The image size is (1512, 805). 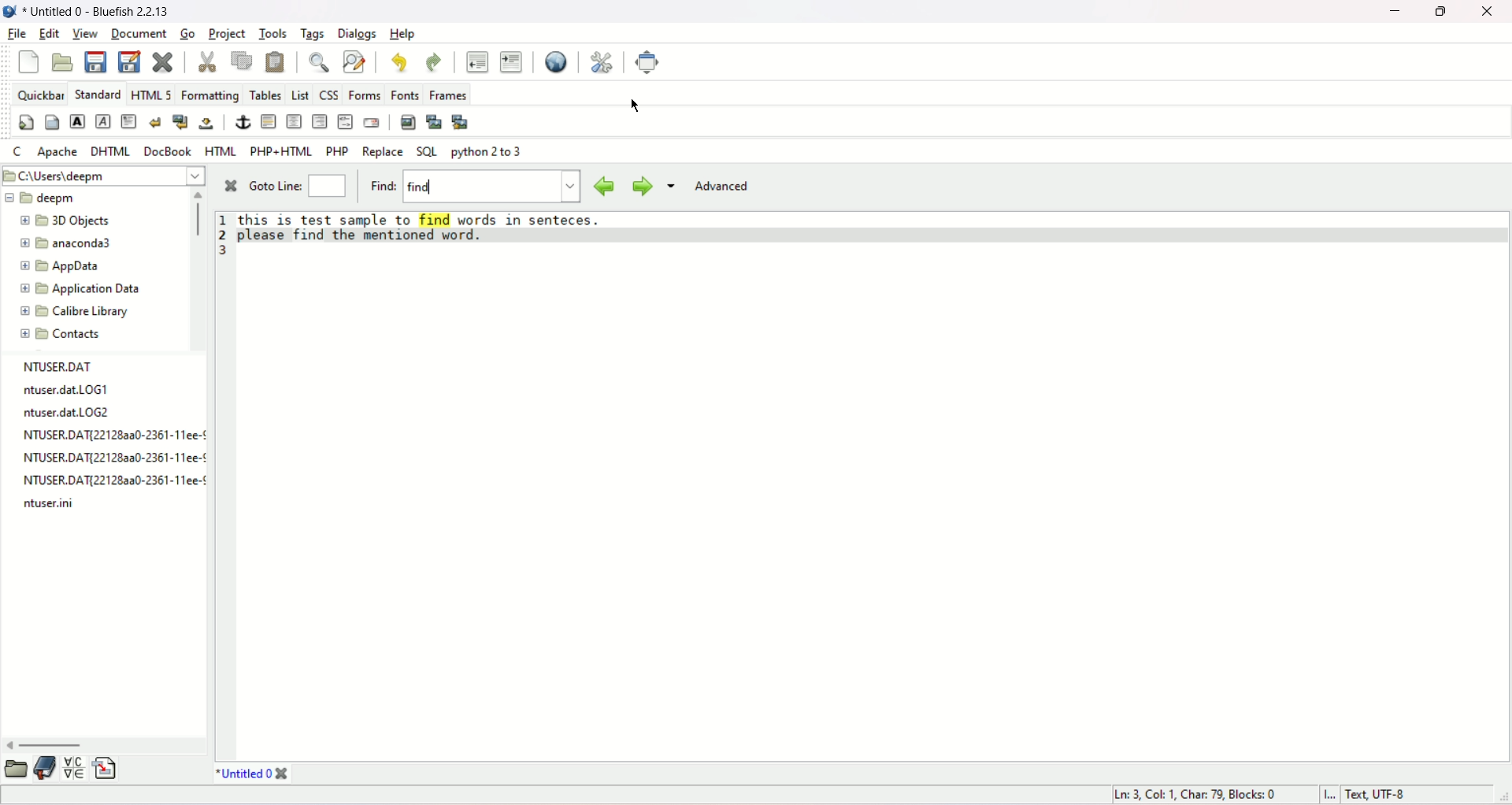 I want to click on Apache, so click(x=58, y=152).